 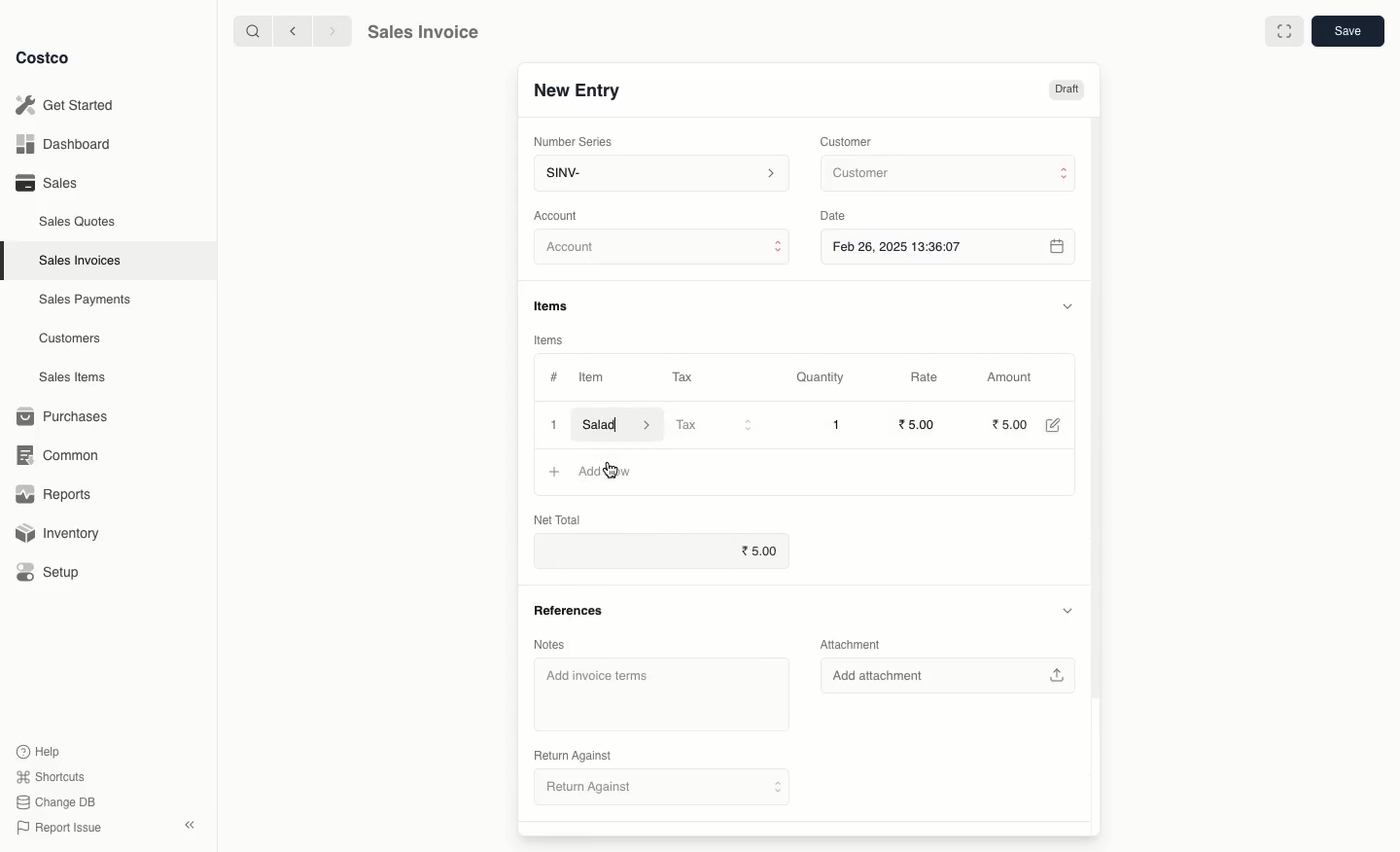 I want to click on Items, so click(x=558, y=305).